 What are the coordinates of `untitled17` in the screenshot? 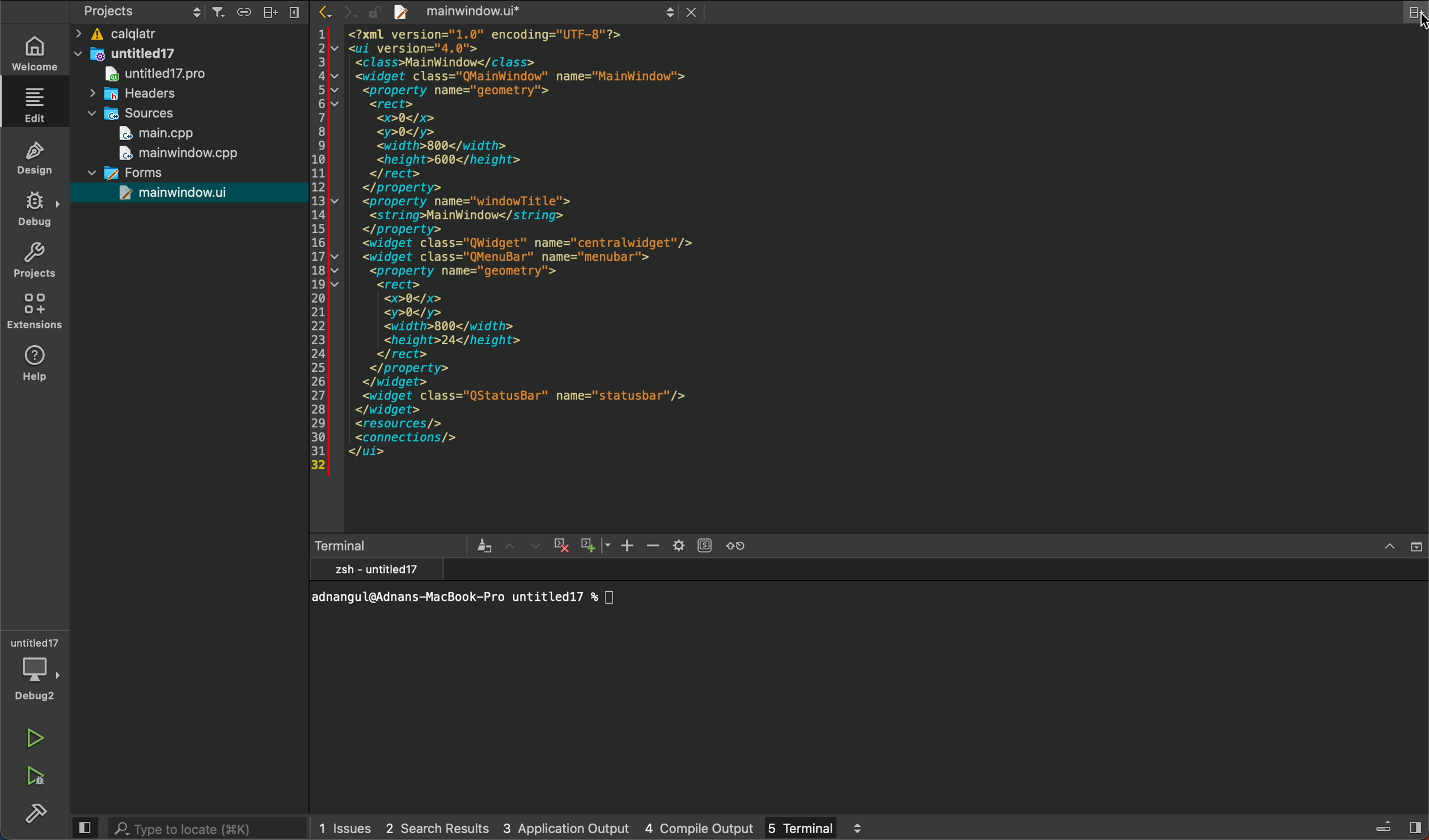 It's located at (126, 54).